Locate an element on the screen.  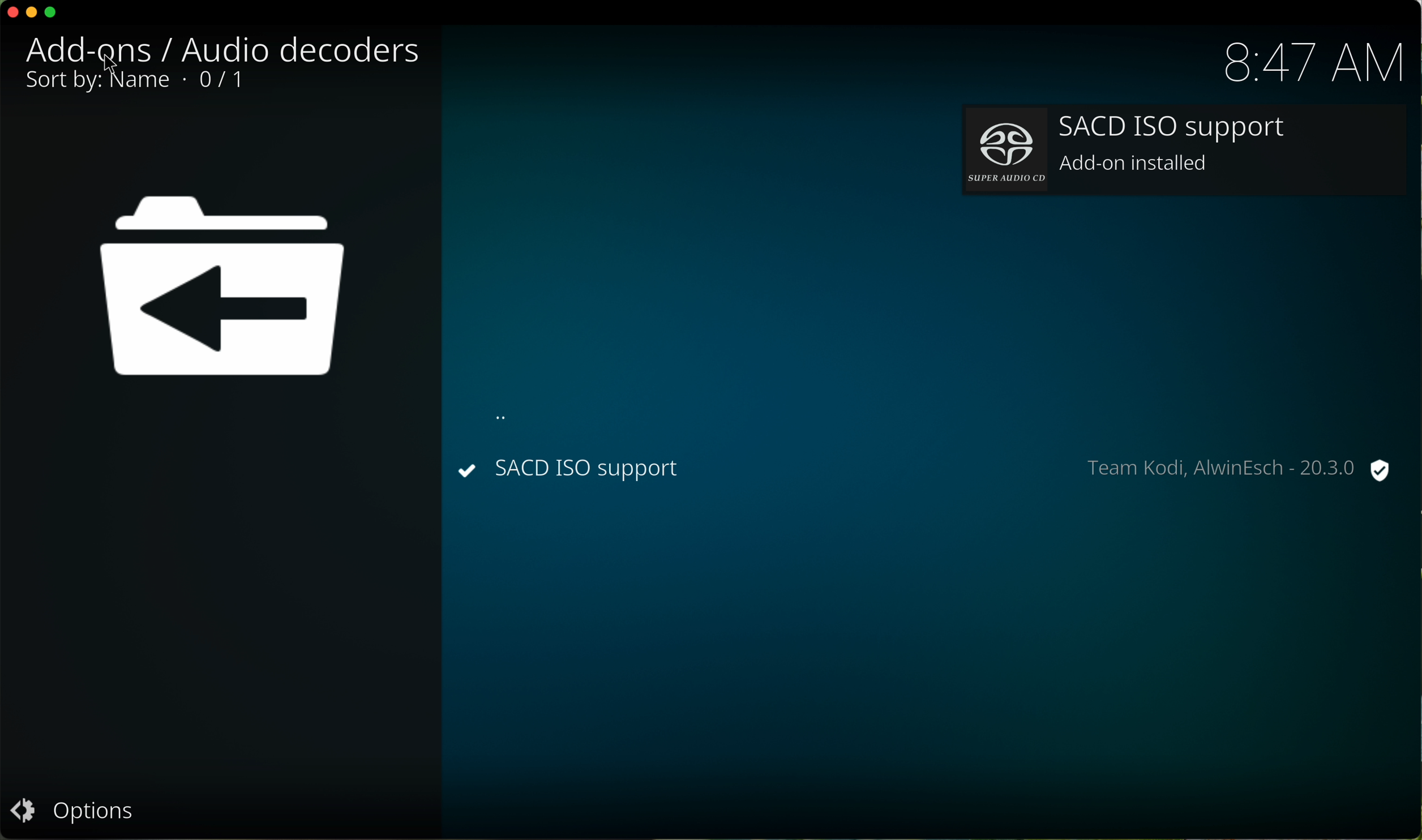
hour is located at coordinates (1297, 55).